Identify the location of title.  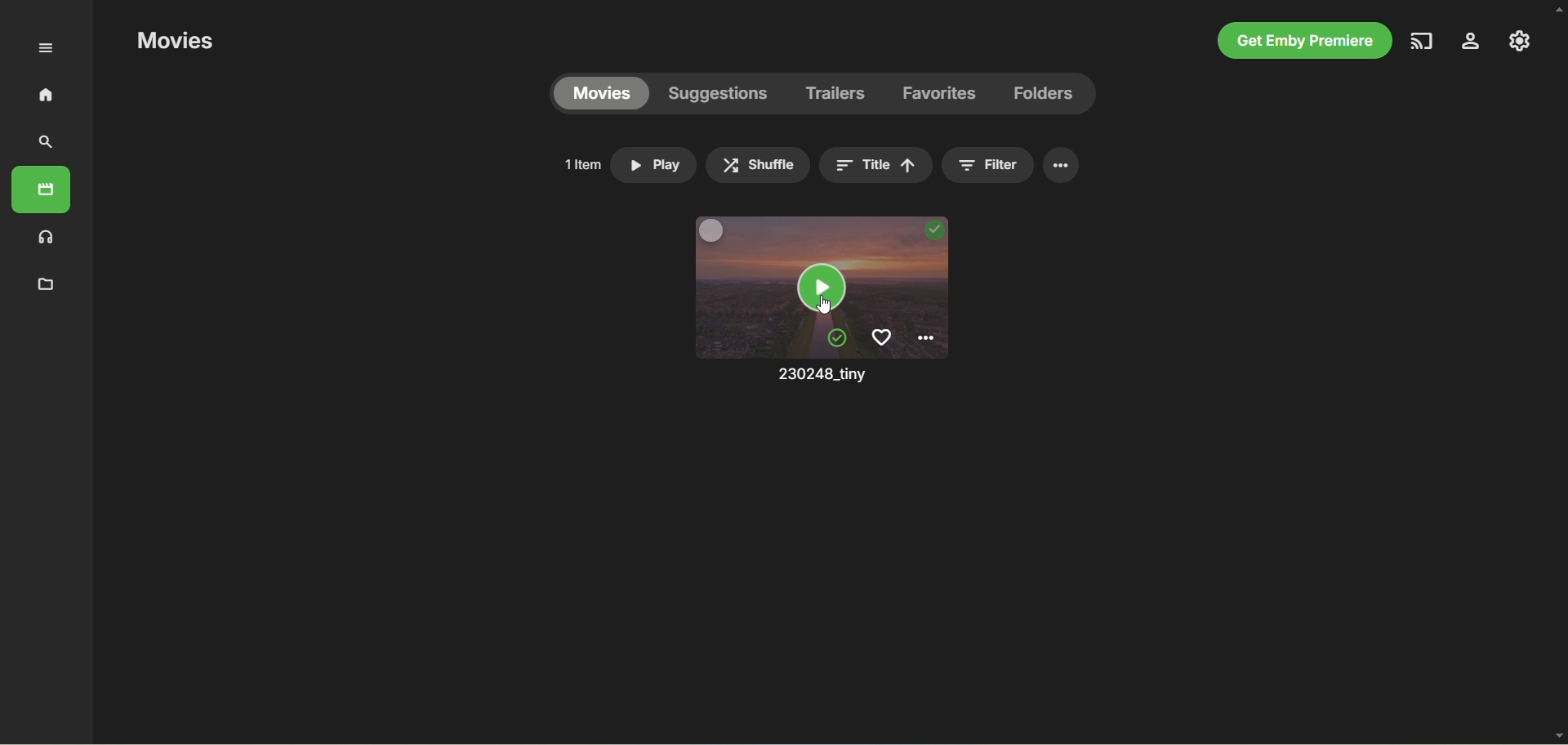
(879, 165).